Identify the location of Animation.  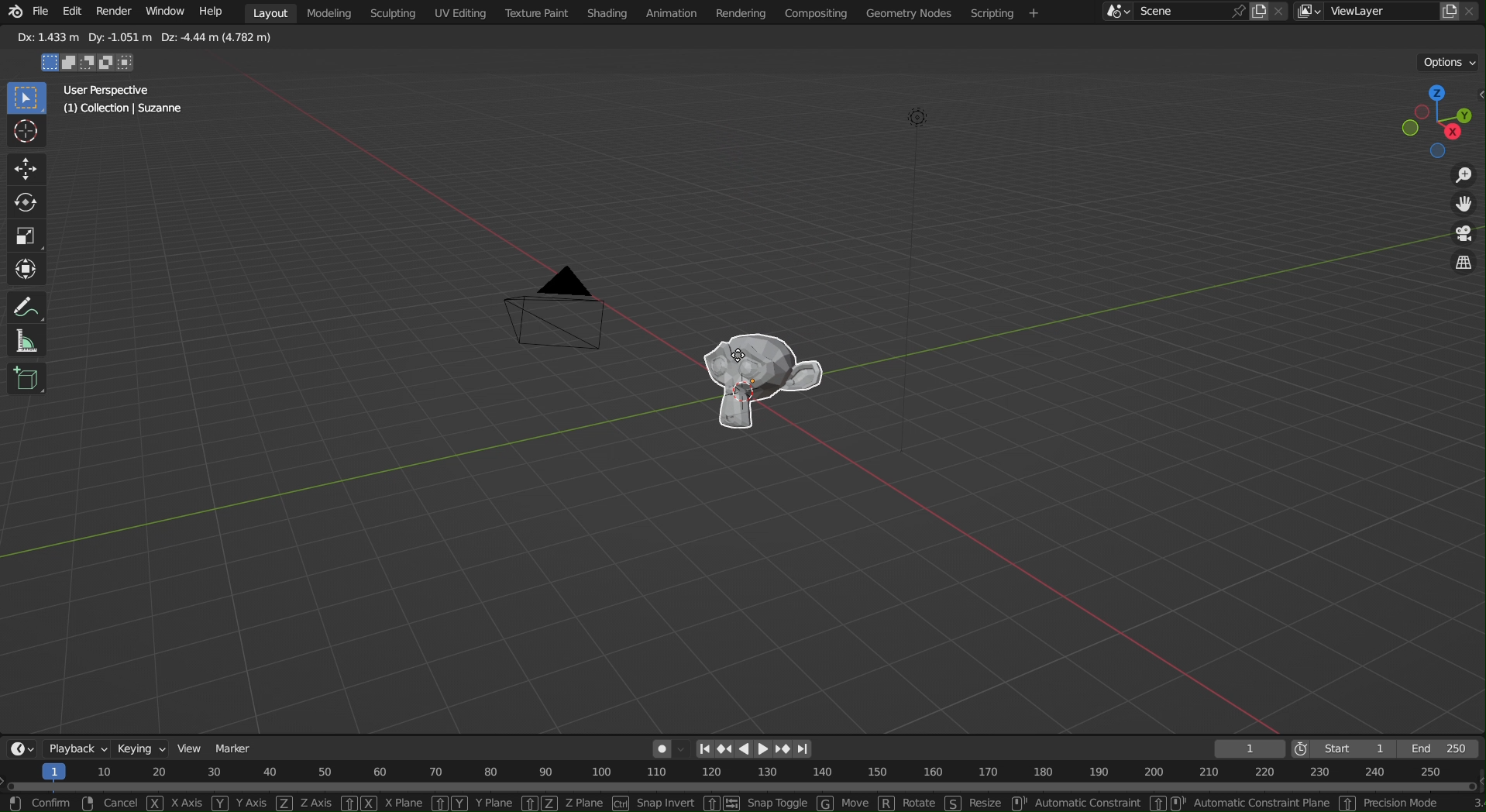
(675, 12).